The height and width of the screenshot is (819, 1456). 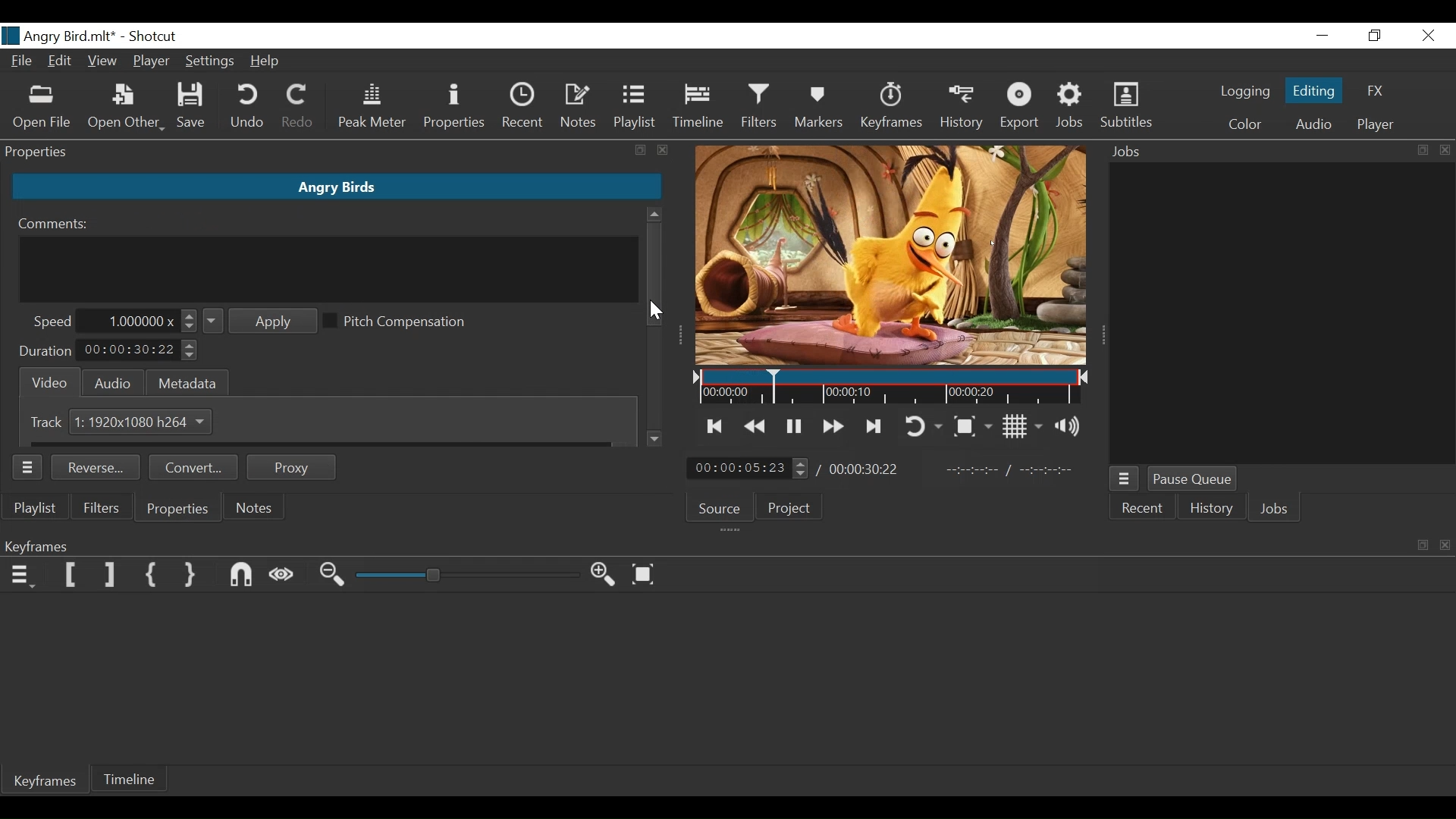 I want to click on File Name, so click(x=59, y=36).